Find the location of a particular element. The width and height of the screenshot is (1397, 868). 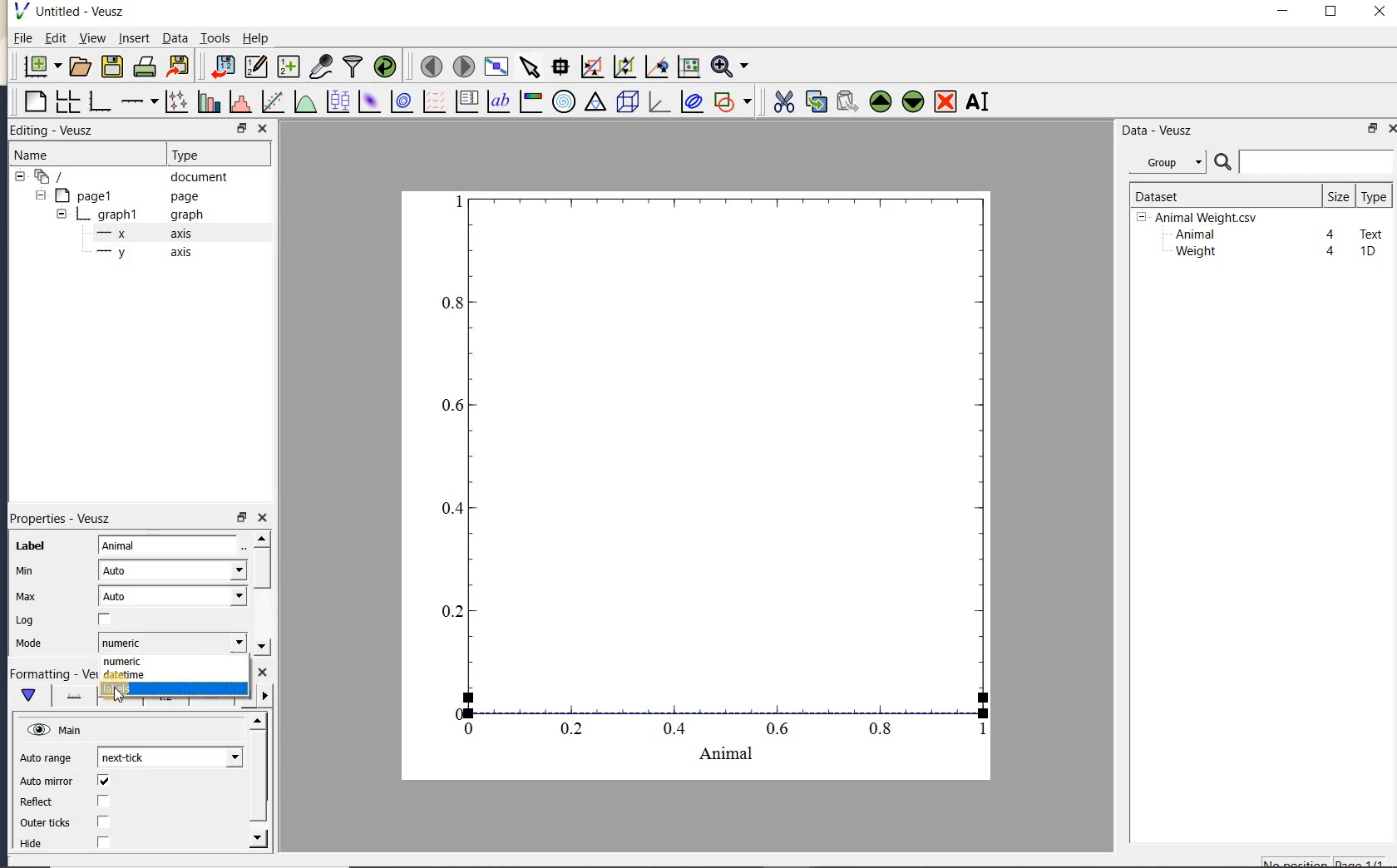

Untitled-Veusz is located at coordinates (74, 12).